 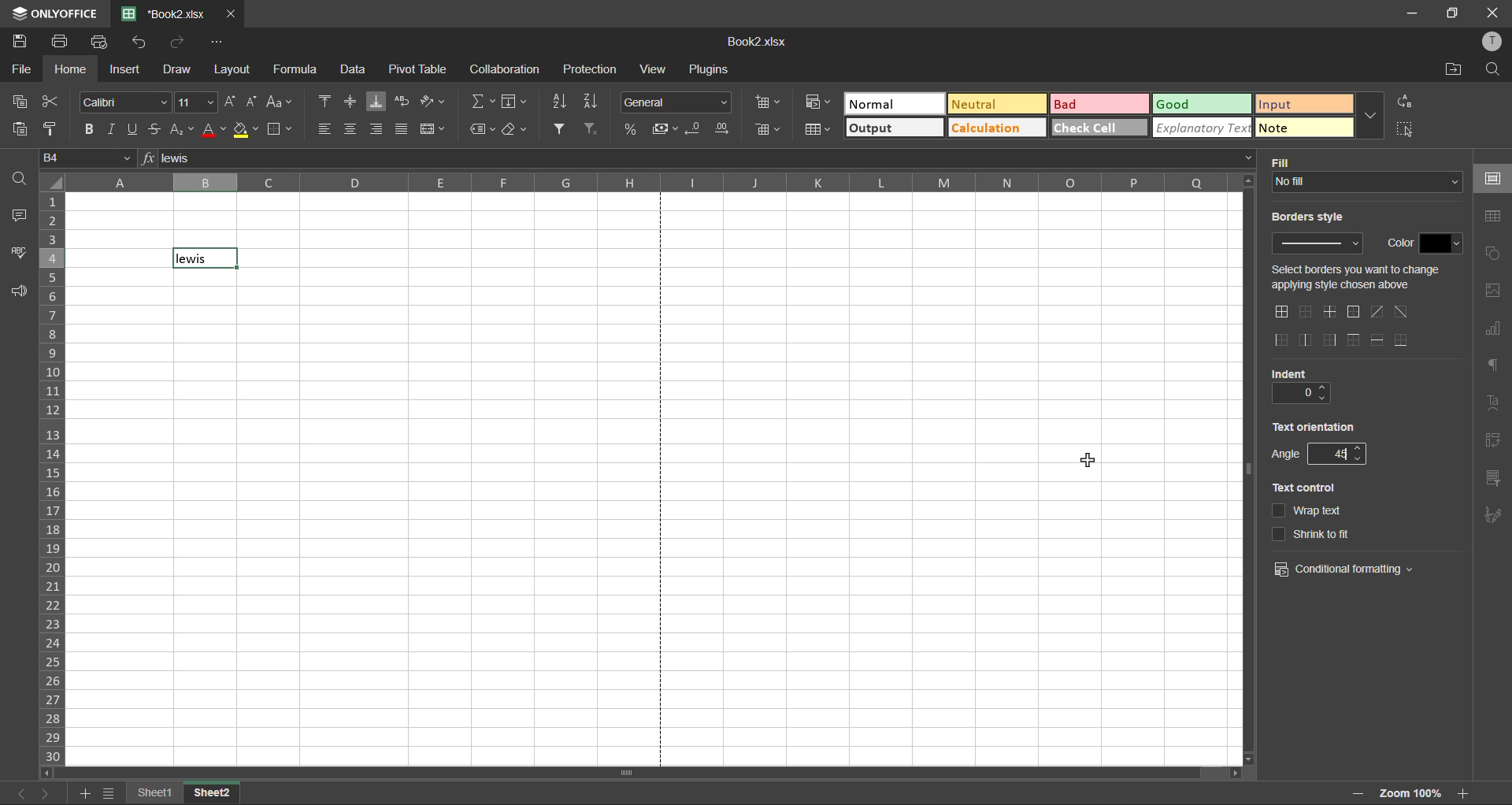 I want to click on copy style, so click(x=57, y=132).